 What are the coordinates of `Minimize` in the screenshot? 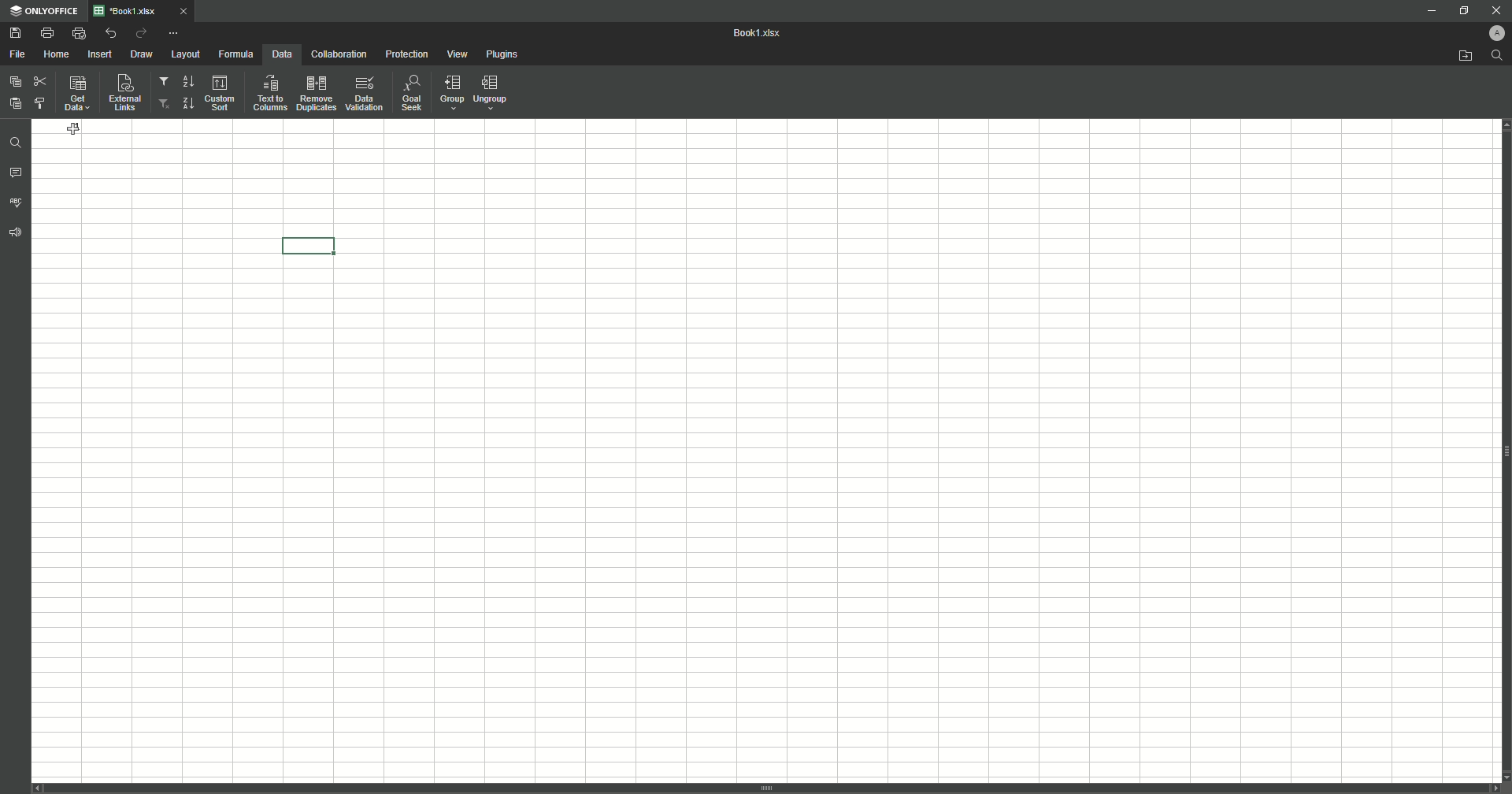 It's located at (1424, 12).